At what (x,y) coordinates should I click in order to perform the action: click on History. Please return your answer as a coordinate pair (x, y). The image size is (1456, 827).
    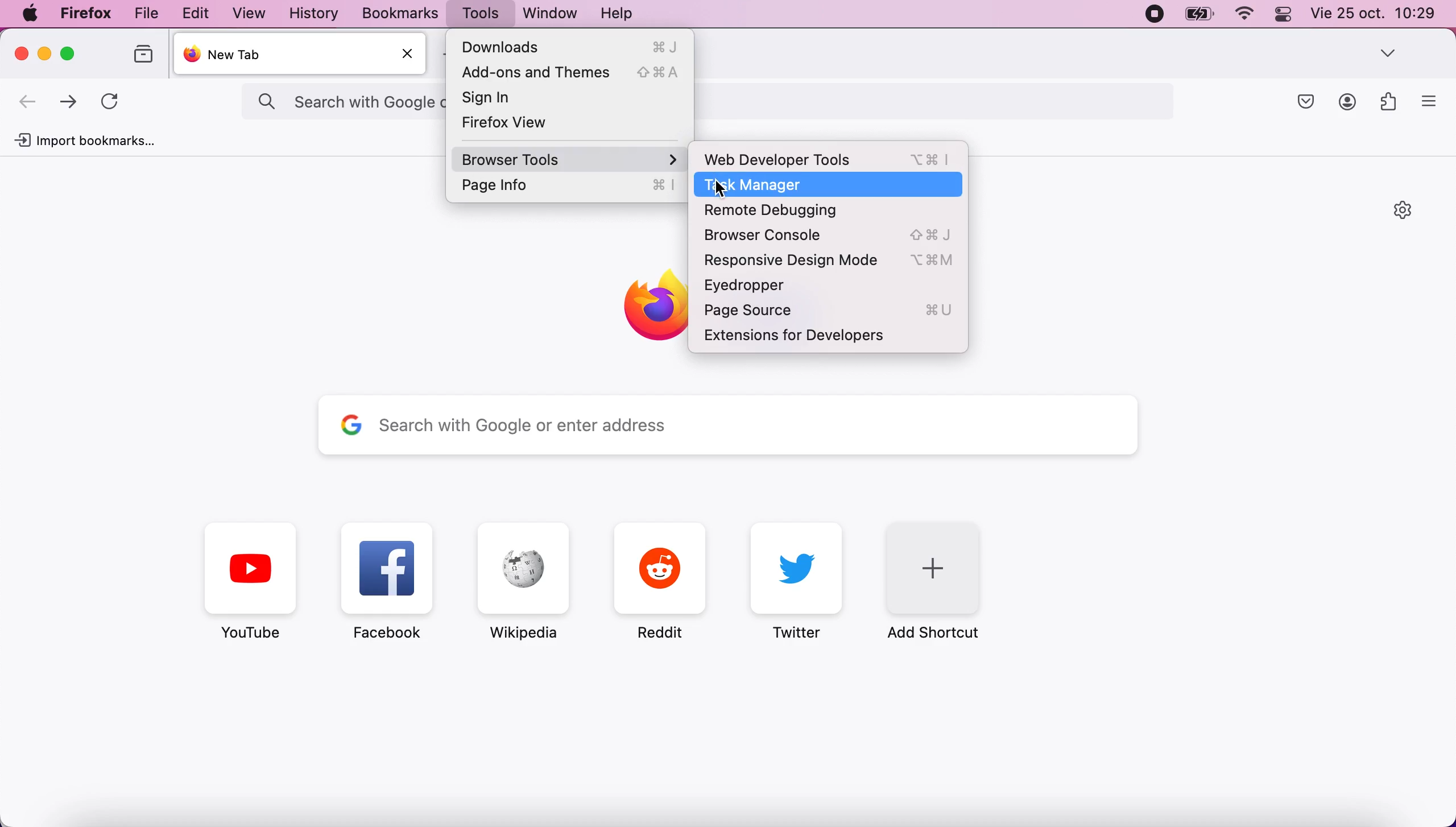
    Looking at the image, I should click on (315, 13).